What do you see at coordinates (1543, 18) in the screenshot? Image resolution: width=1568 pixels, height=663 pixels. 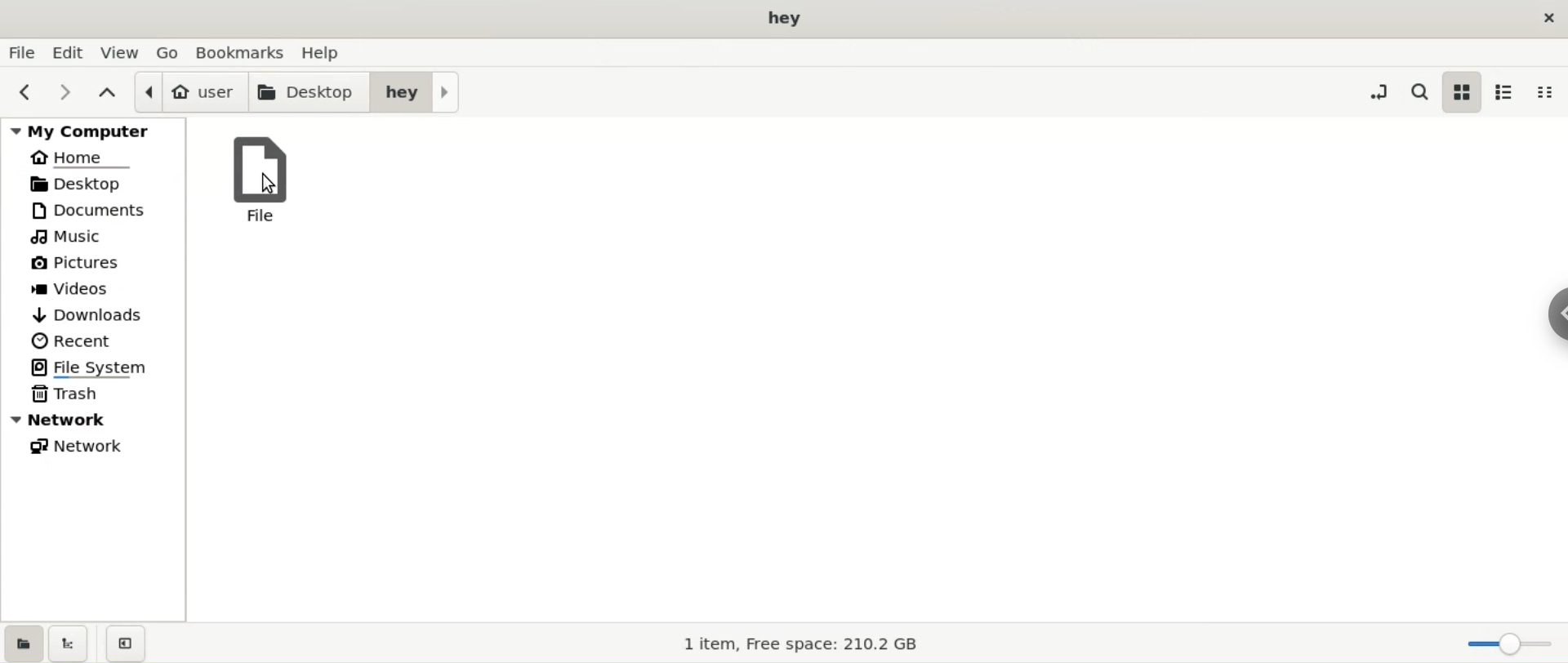 I see `close` at bounding box center [1543, 18].